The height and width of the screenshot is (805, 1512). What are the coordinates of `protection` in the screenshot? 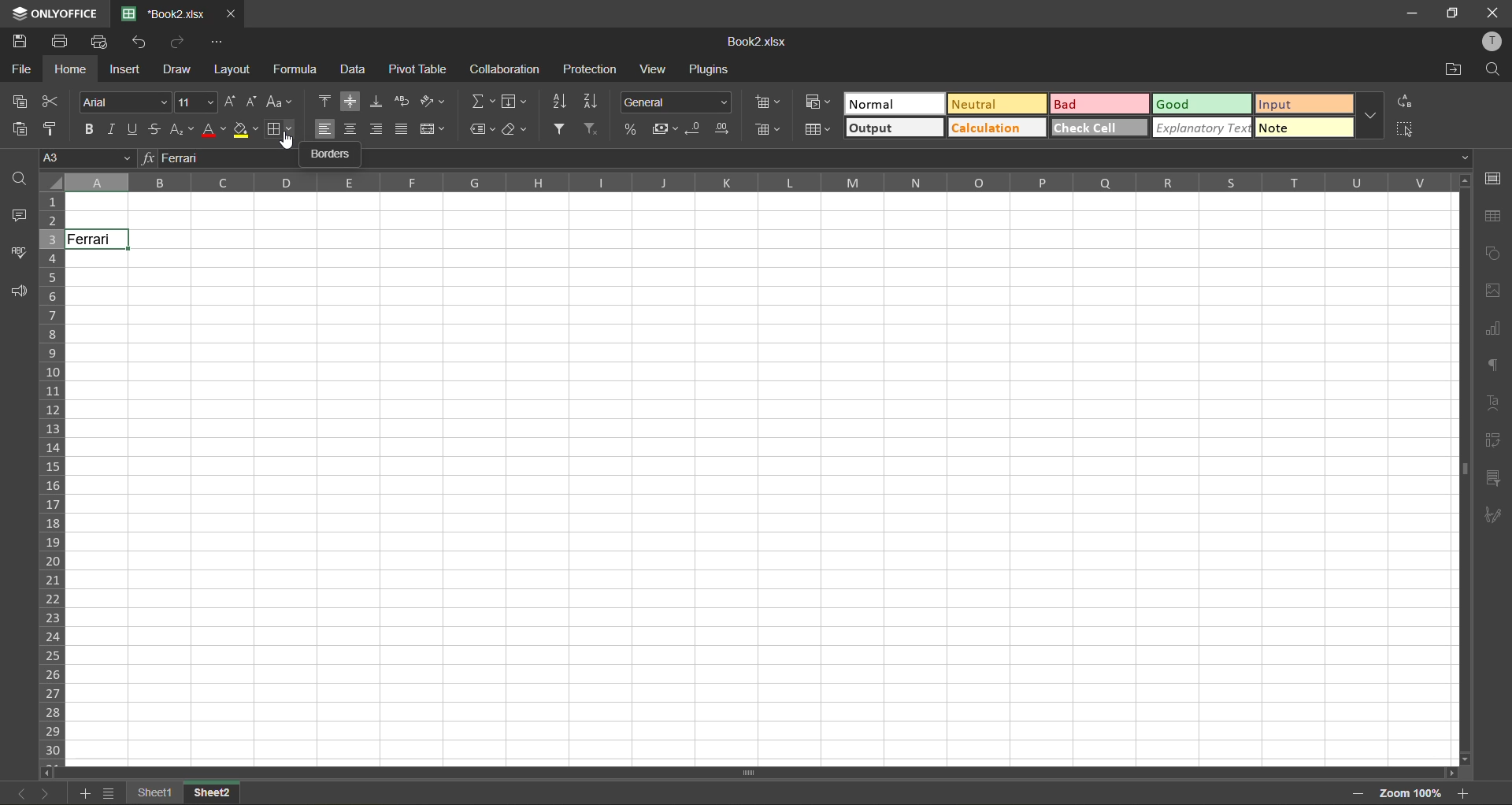 It's located at (588, 69).